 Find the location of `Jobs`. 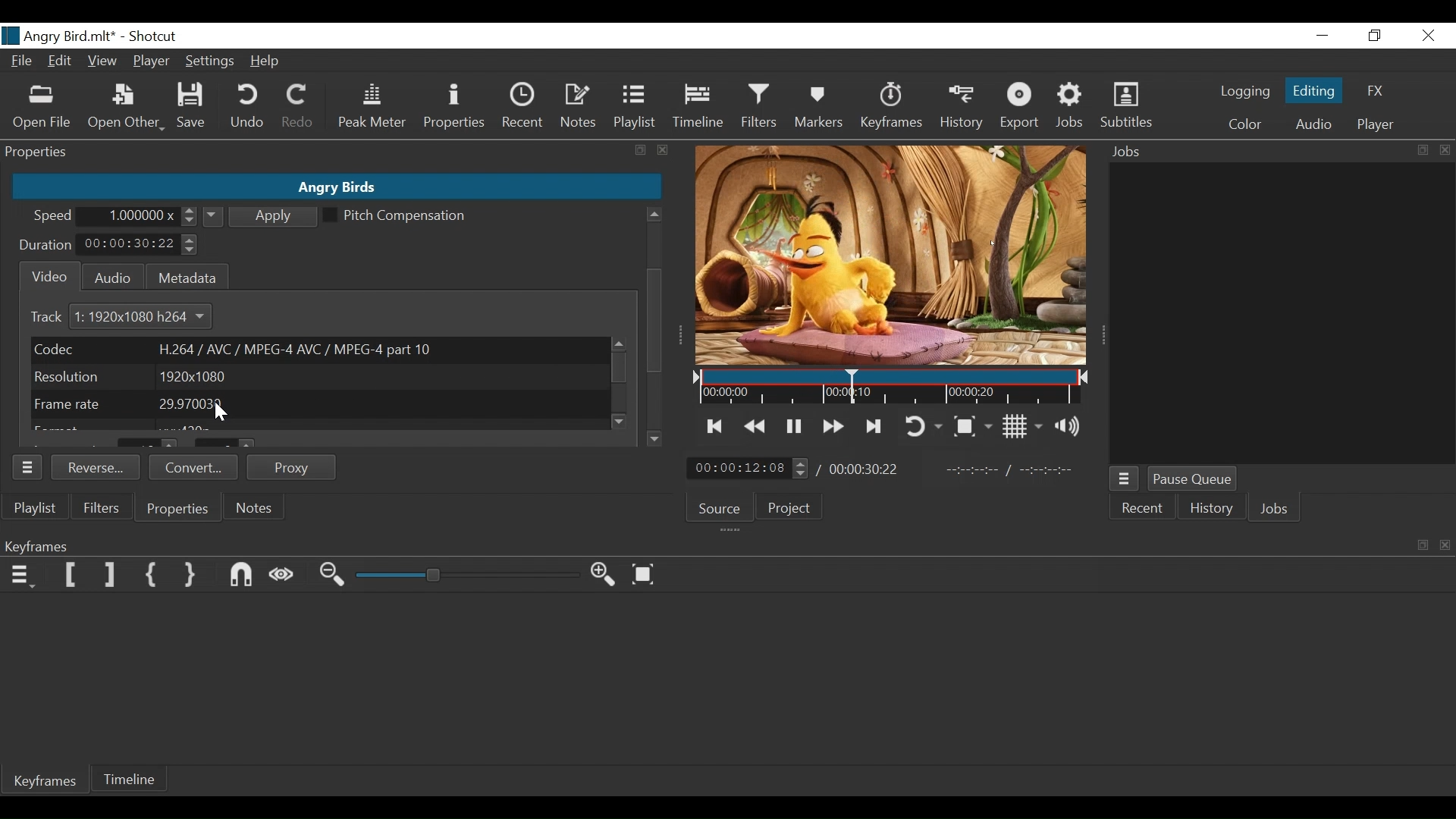

Jobs is located at coordinates (1070, 108).